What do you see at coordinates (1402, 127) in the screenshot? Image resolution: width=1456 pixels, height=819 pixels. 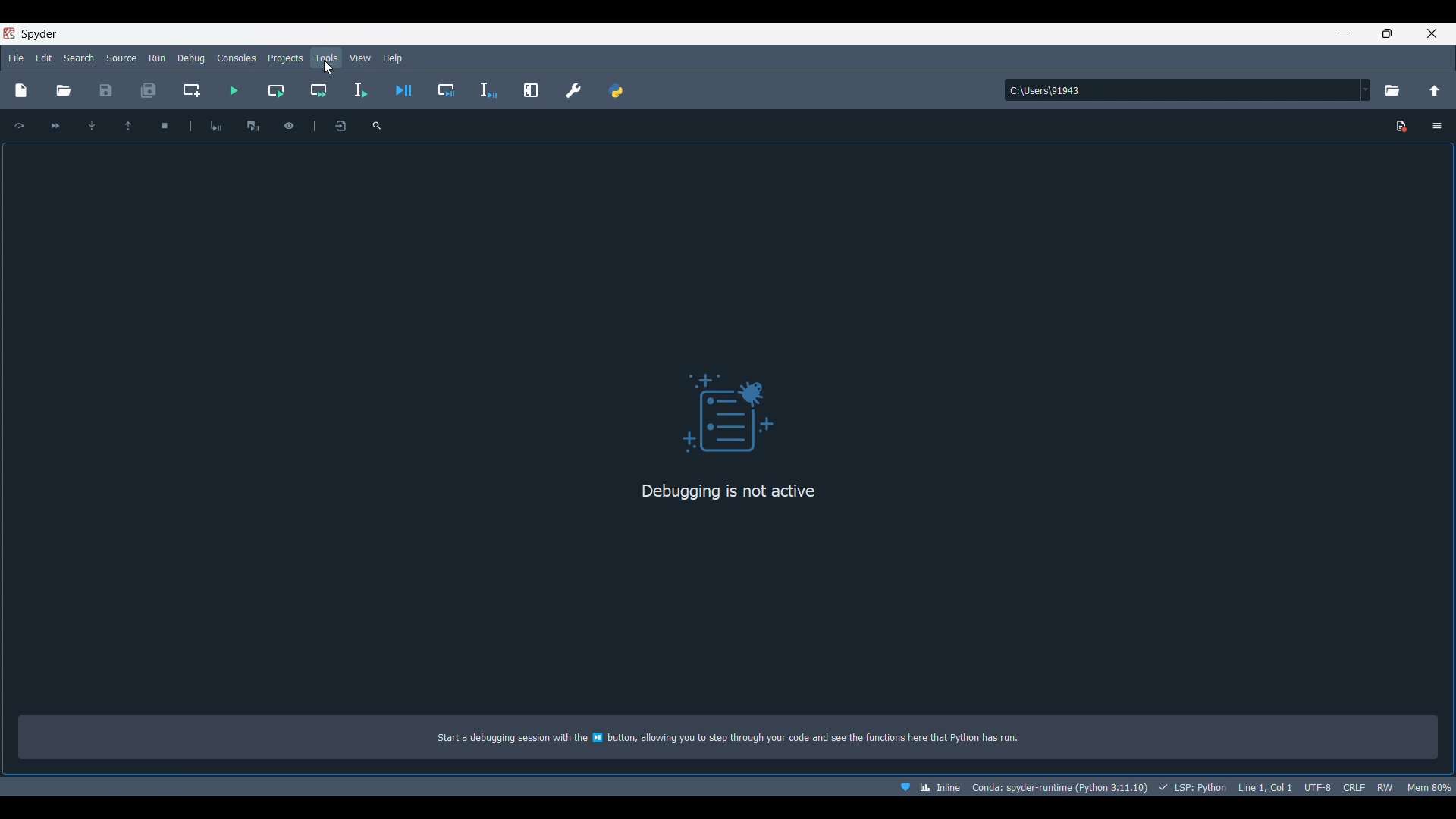 I see `Document` at bounding box center [1402, 127].